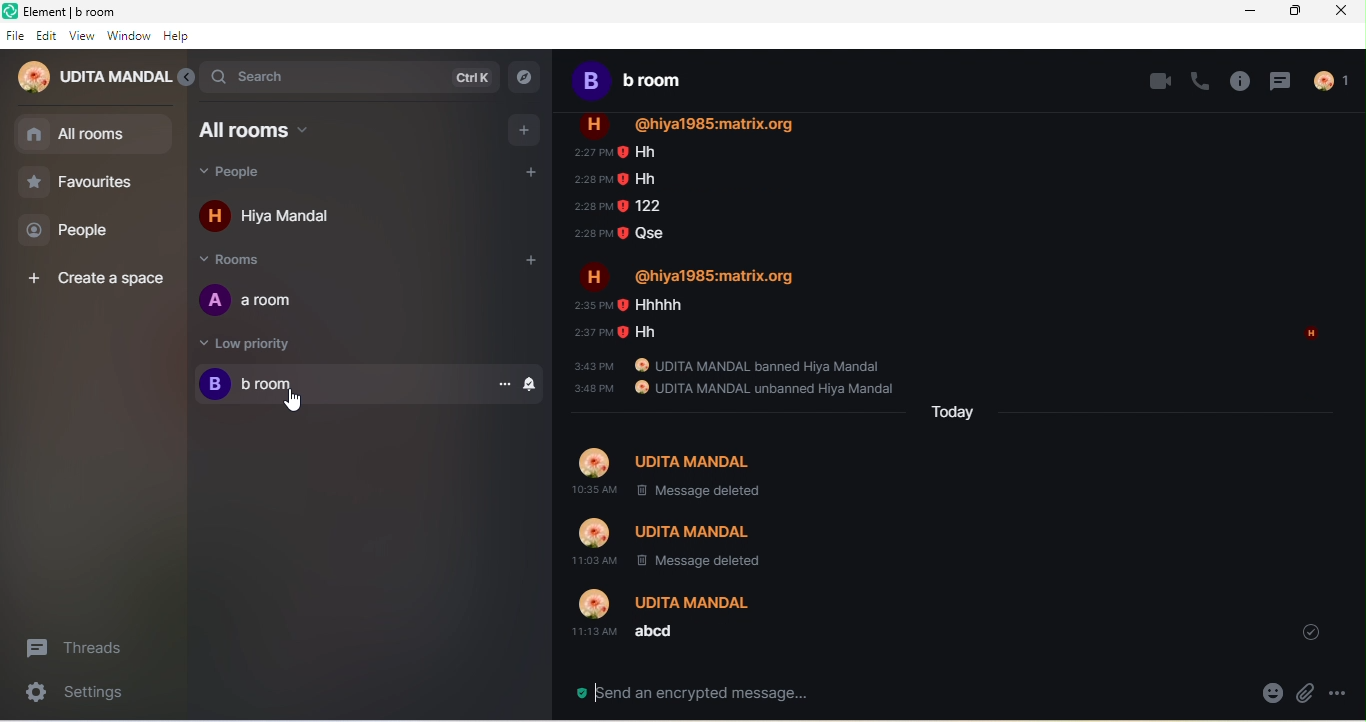 The height and width of the screenshot is (722, 1366). I want to click on all room, so click(94, 135).